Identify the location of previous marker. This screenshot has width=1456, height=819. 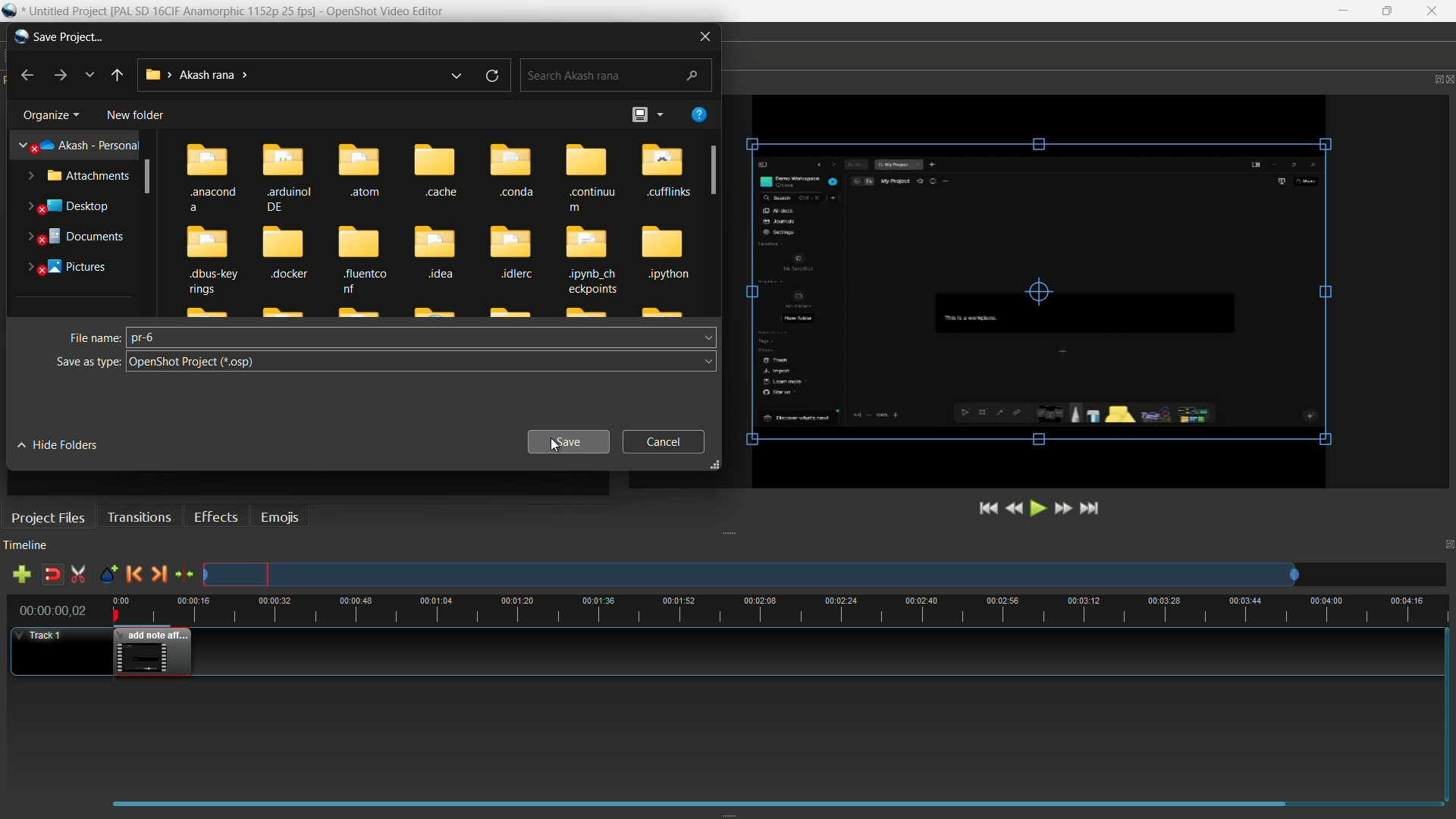
(131, 576).